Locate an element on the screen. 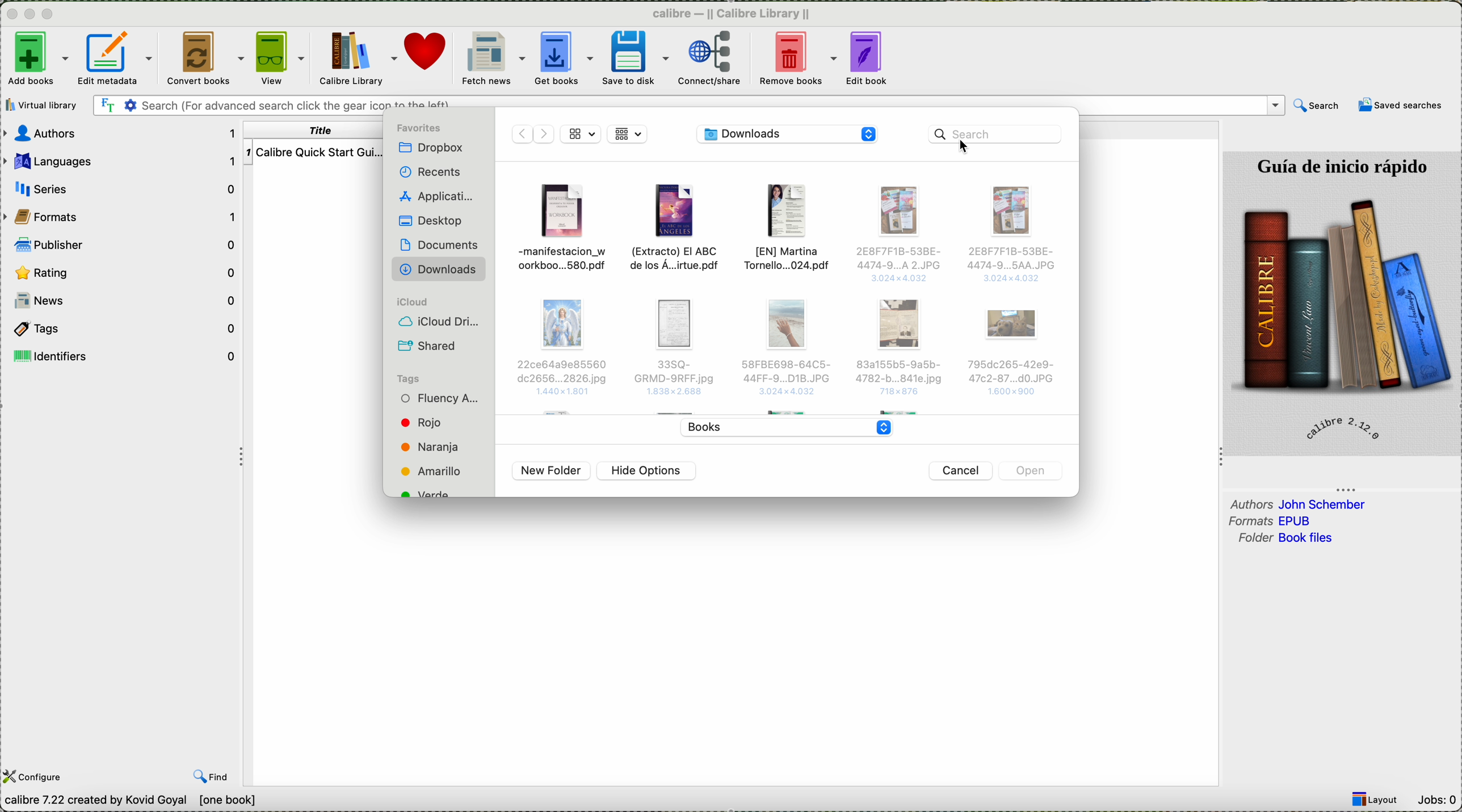 This screenshot has width=1462, height=812. Layout is located at coordinates (1376, 800).